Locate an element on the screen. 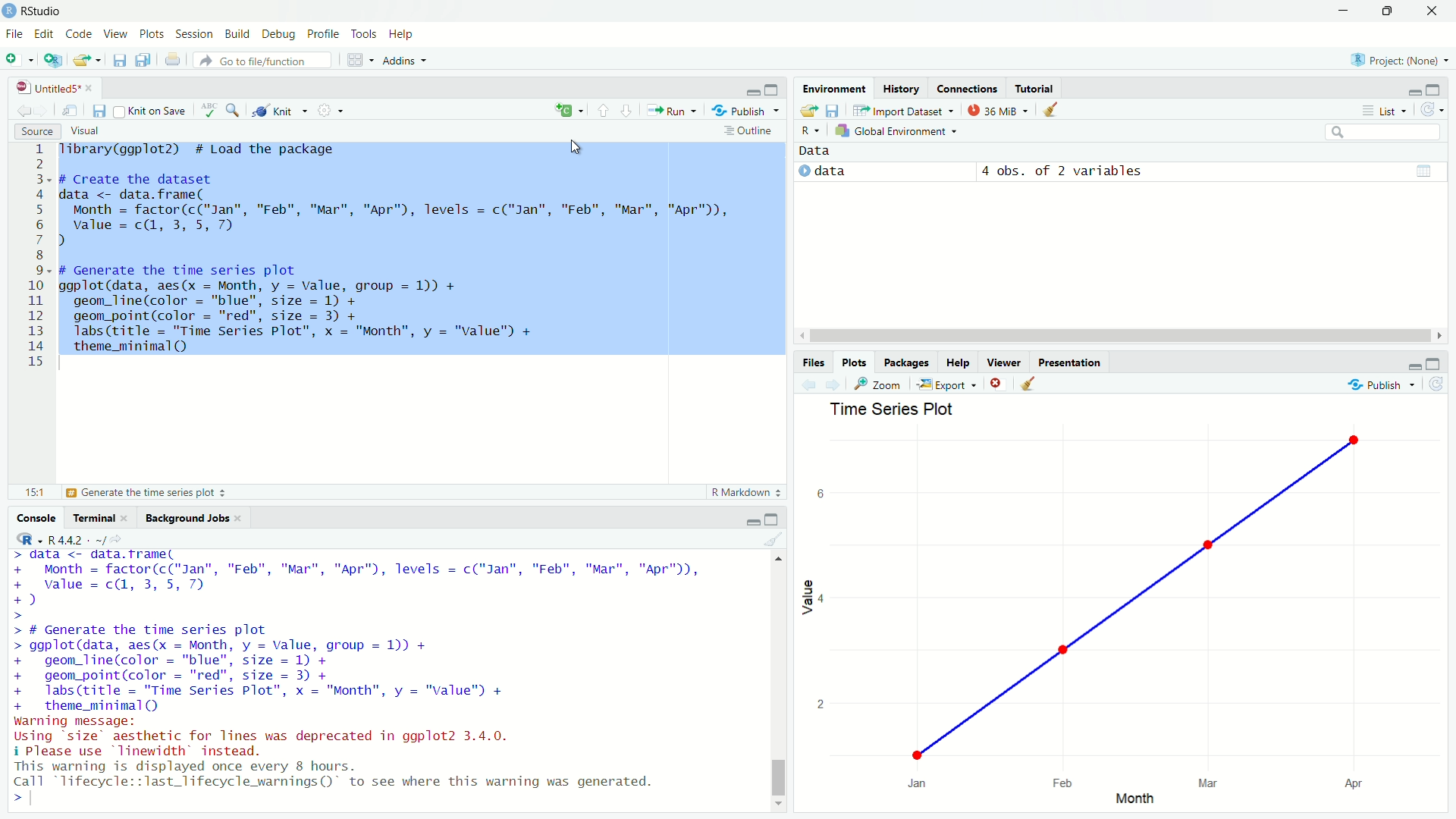  R 4.4.2 . ~/ is located at coordinates (77, 539).